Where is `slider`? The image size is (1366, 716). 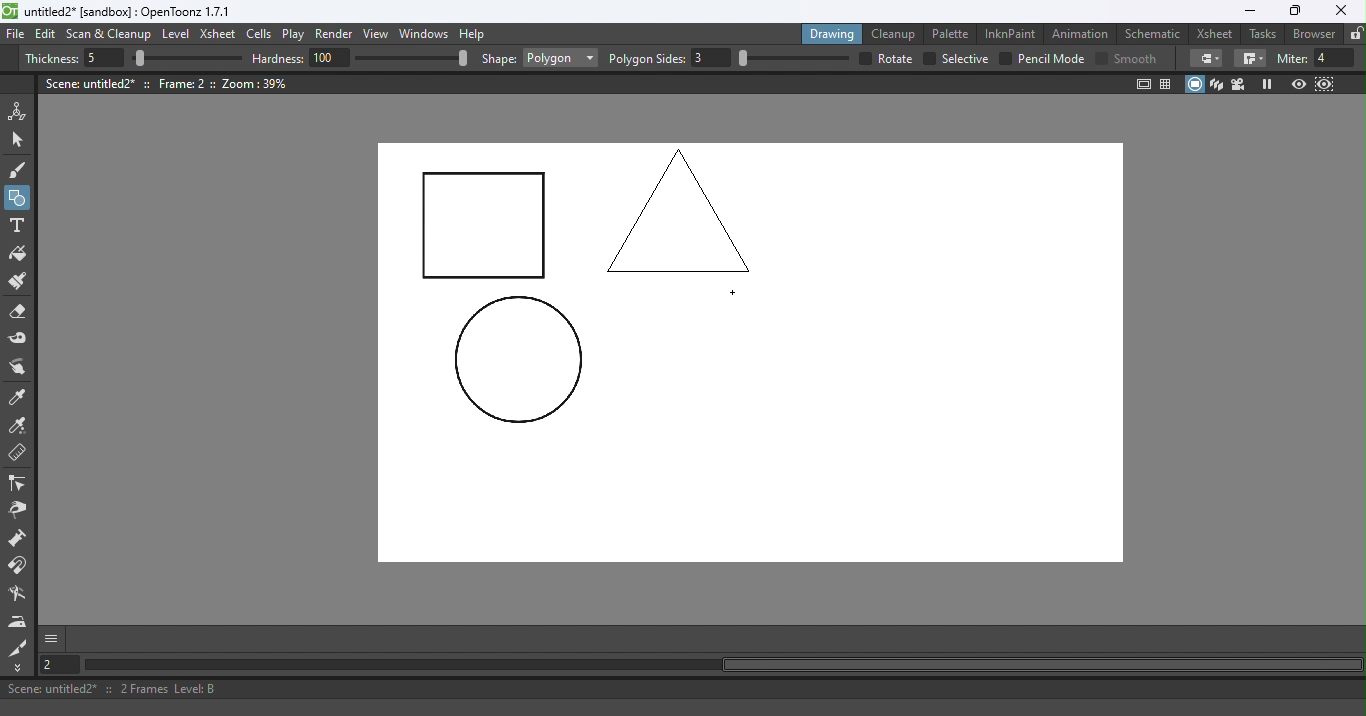
slider is located at coordinates (411, 57).